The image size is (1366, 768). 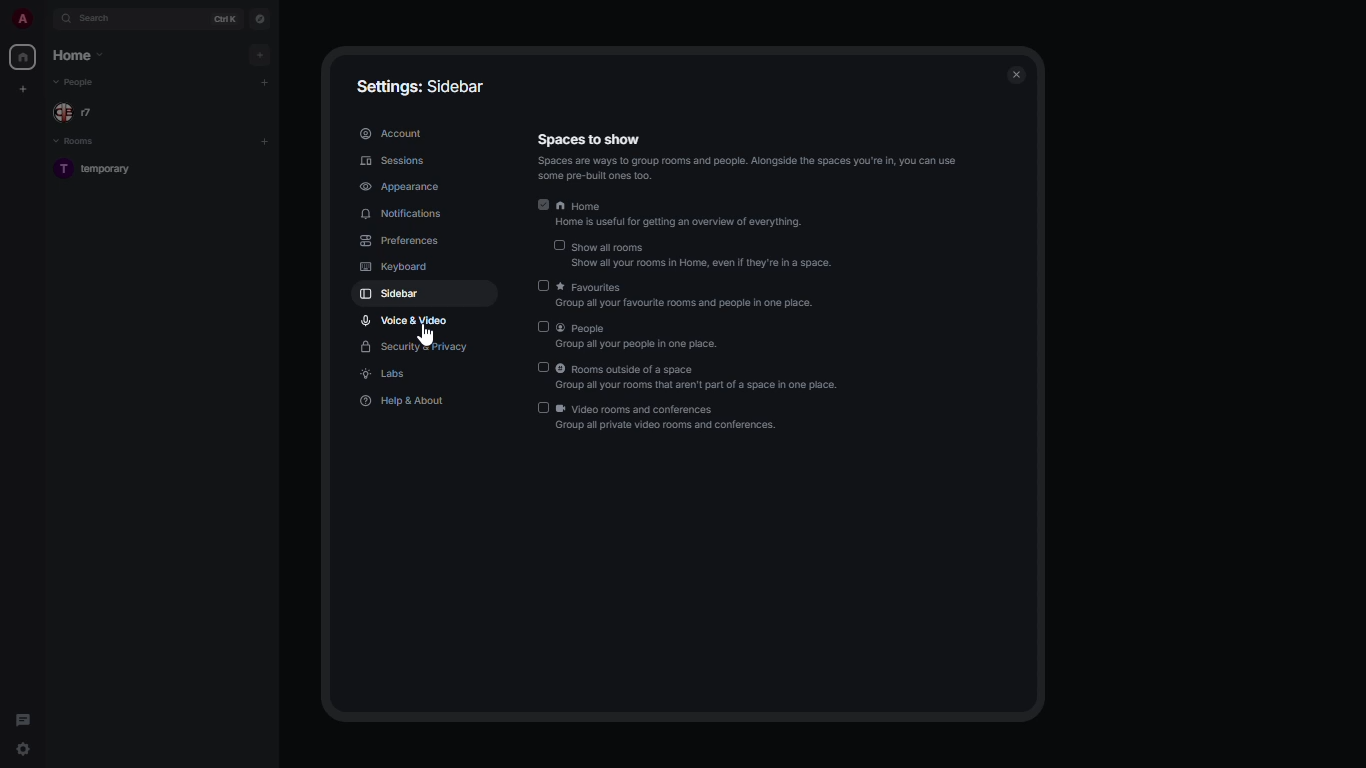 I want to click on disabled, so click(x=541, y=367).